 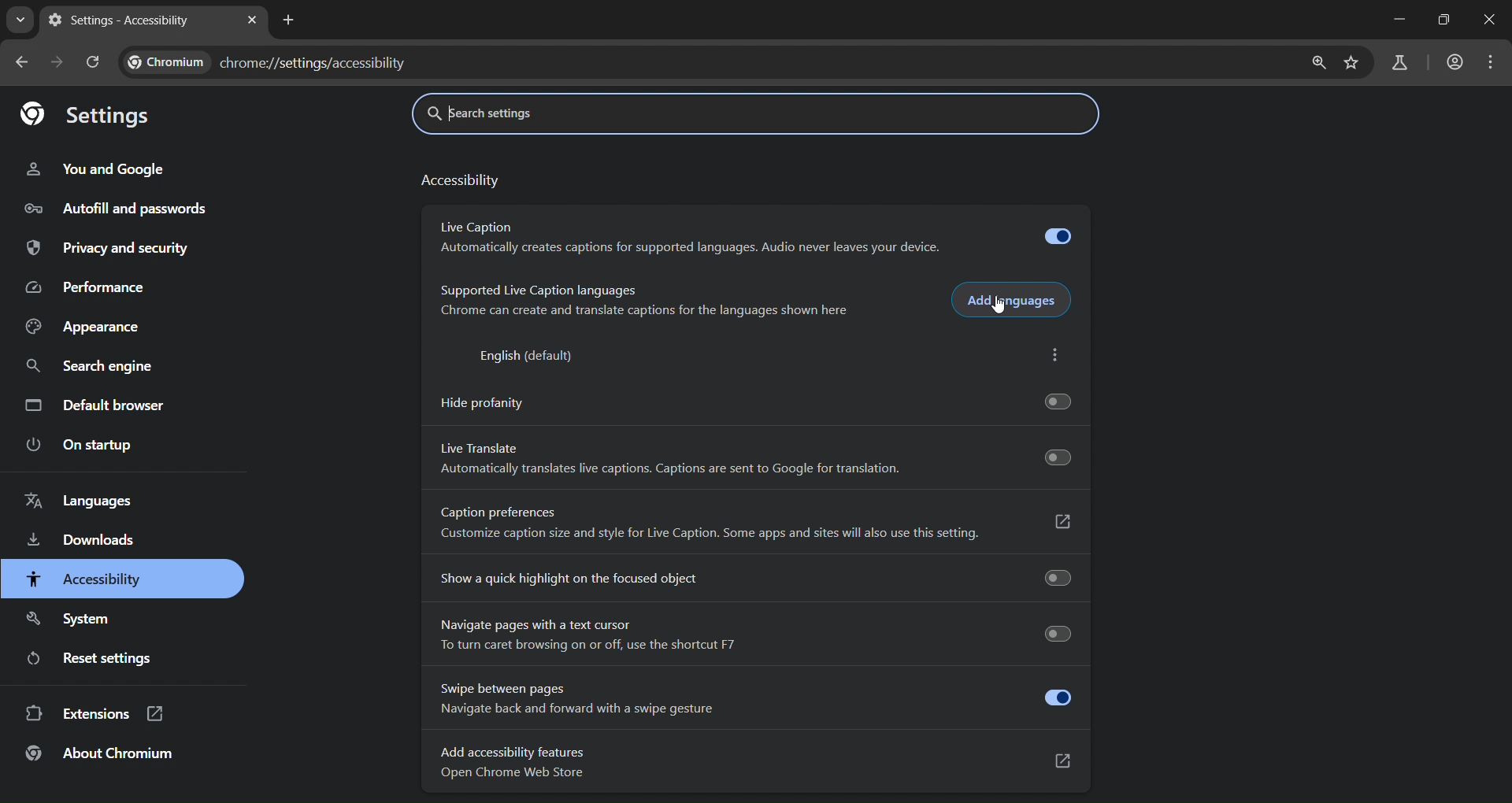 I want to click on Hide profanity, so click(x=754, y=401).